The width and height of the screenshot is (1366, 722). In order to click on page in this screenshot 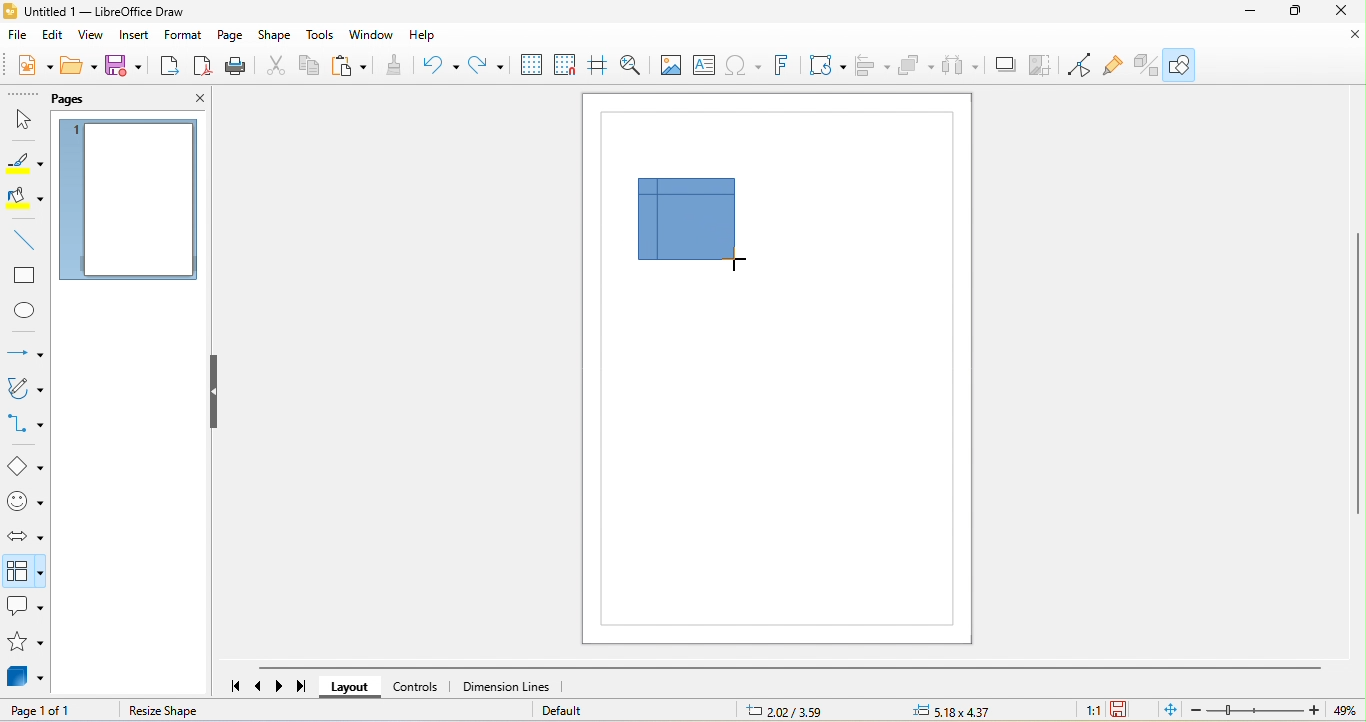, I will do `click(231, 35)`.